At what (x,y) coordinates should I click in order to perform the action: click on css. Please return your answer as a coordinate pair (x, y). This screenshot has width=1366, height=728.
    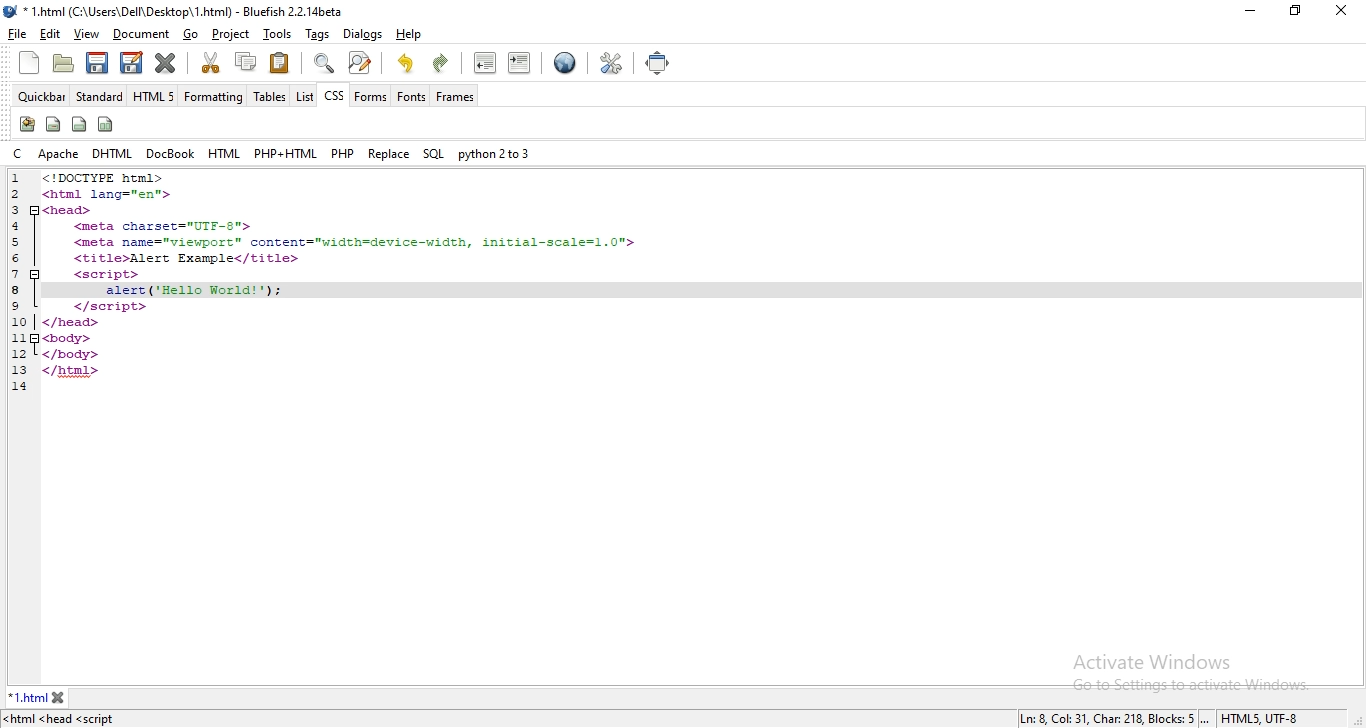
    Looking at the image, I should click on (333, 96).